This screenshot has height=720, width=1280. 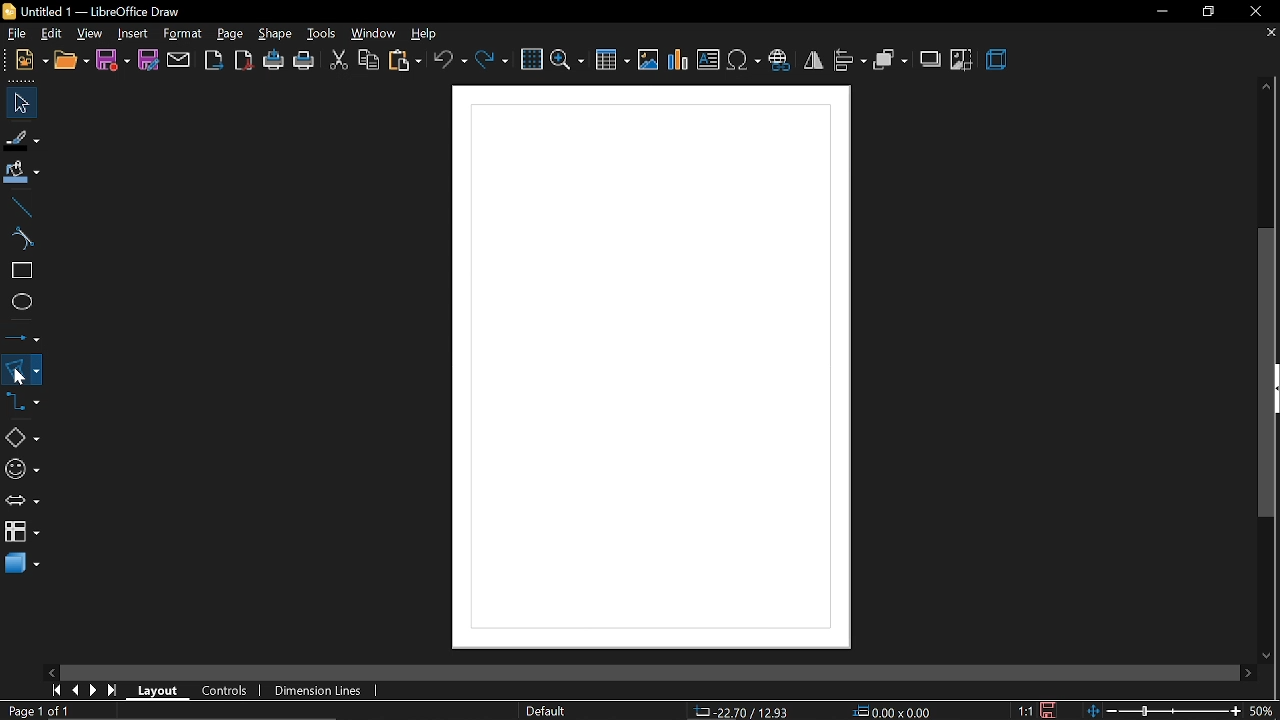 What do you see at coordinates (20, 564) in the screenshot?
I see `3d shapes` at bounding box center [20, 564].